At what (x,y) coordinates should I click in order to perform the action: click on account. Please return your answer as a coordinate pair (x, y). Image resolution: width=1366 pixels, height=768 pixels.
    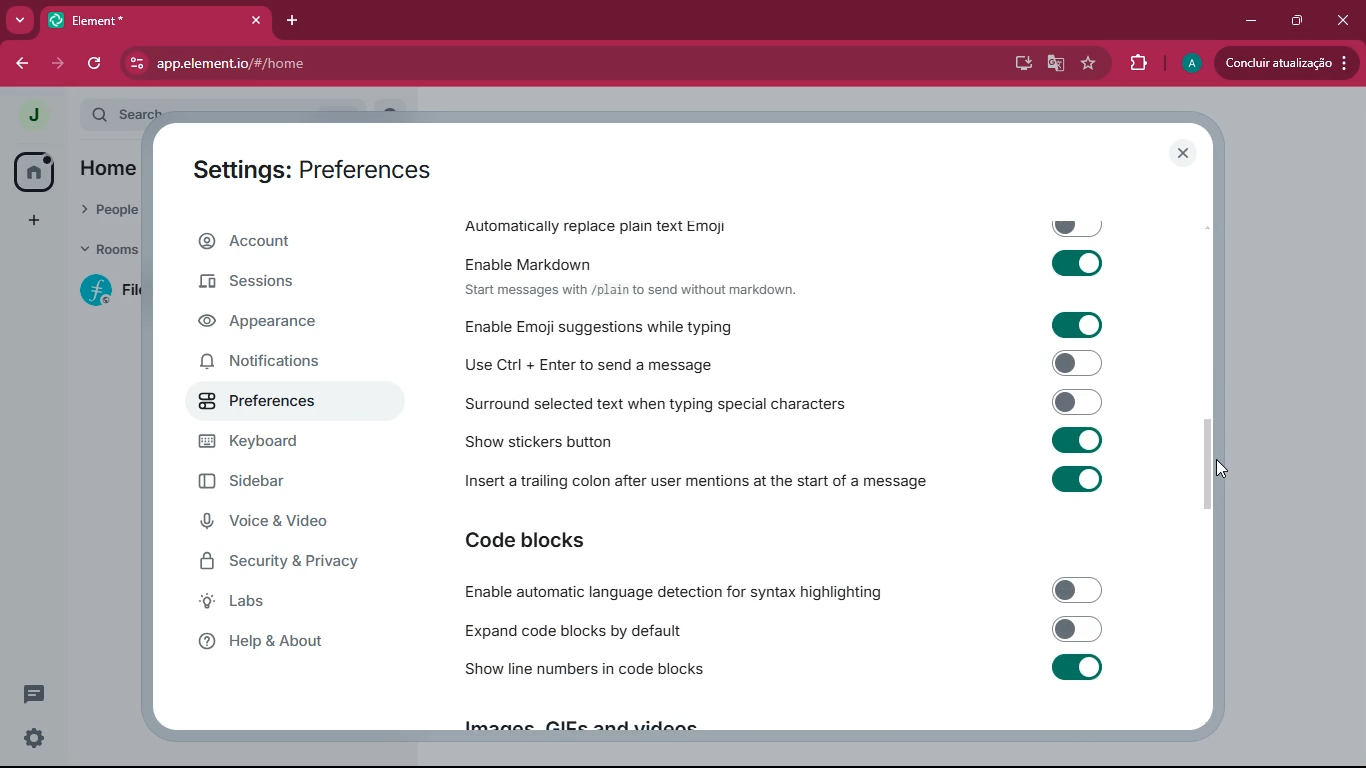
    Looking at the image, I should click on (299, 241).